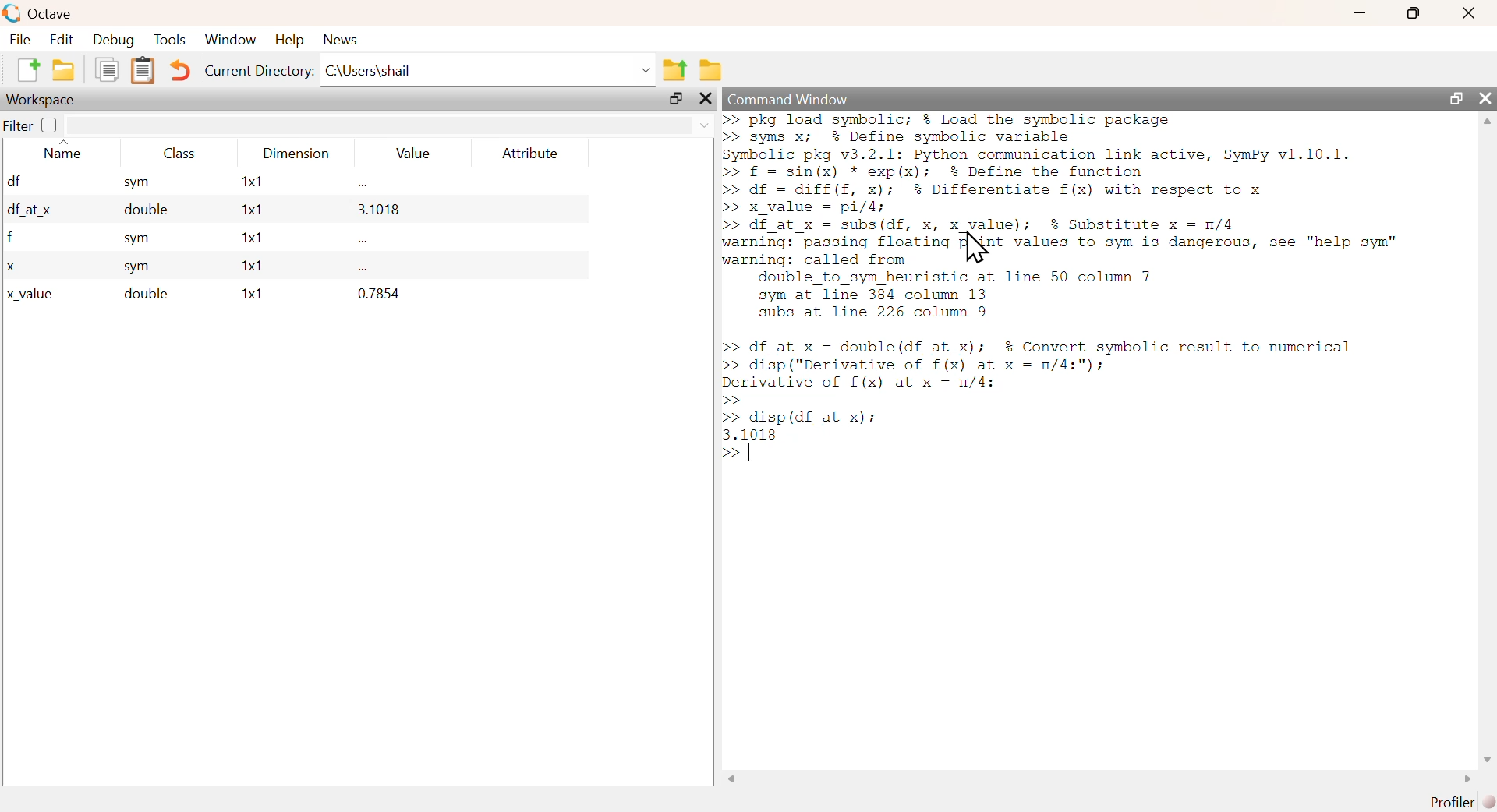 This screenshot has width=1497, height=812. I want to click on New Script, so click(31, 69).